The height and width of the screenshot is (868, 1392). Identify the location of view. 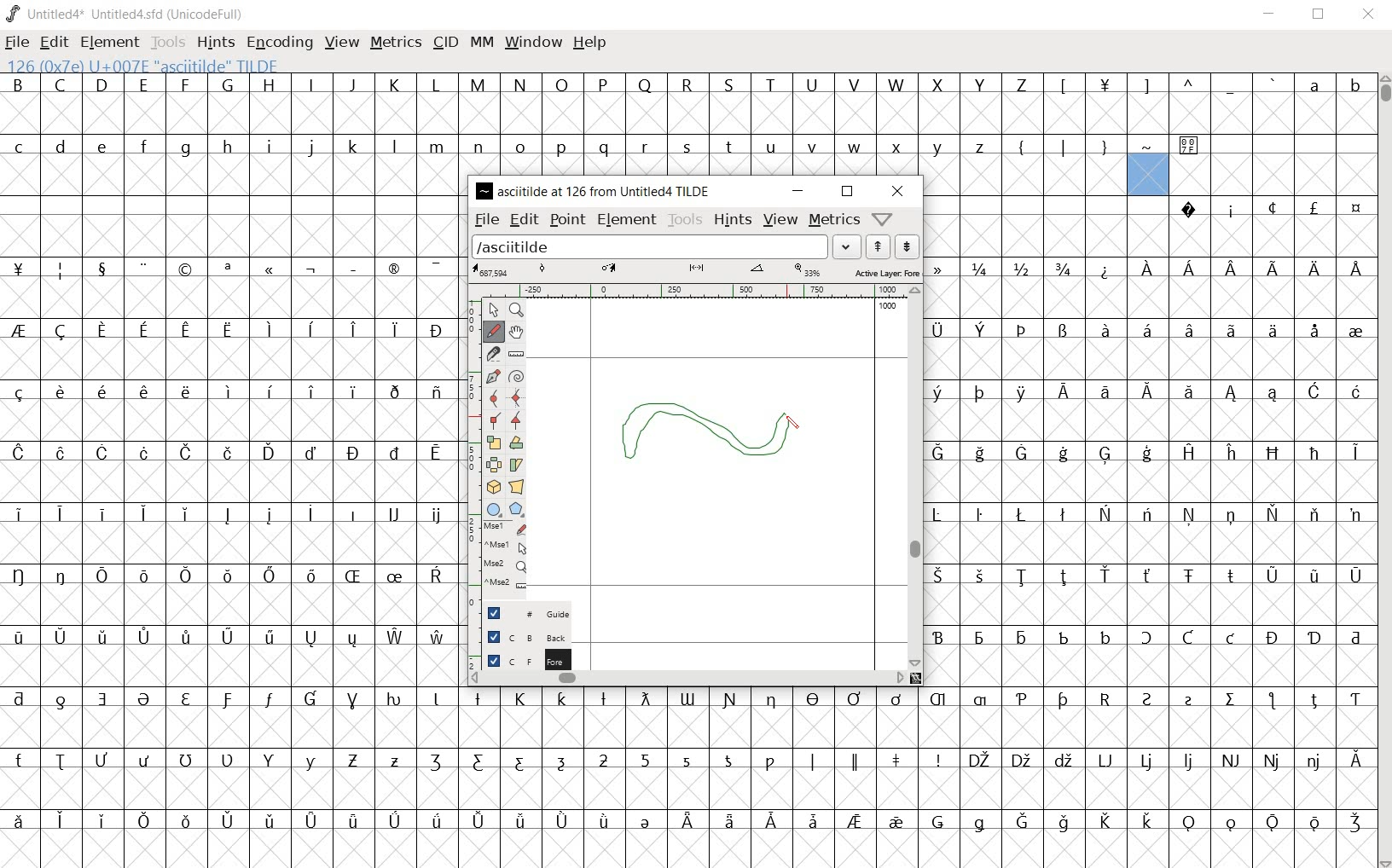
(779, 219).